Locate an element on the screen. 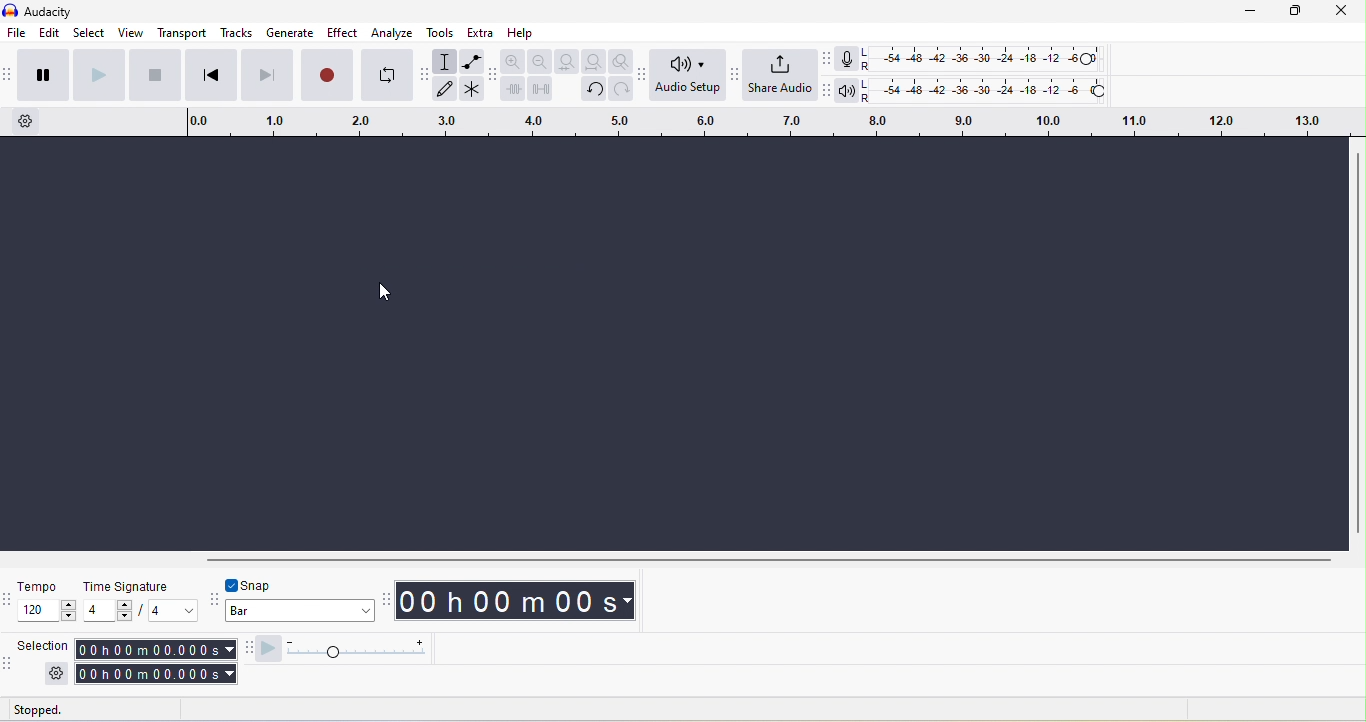 Image resolution: width=1366 pixels, height=722 pixels. recording meter toolbar is located at coordinates (826, 59).